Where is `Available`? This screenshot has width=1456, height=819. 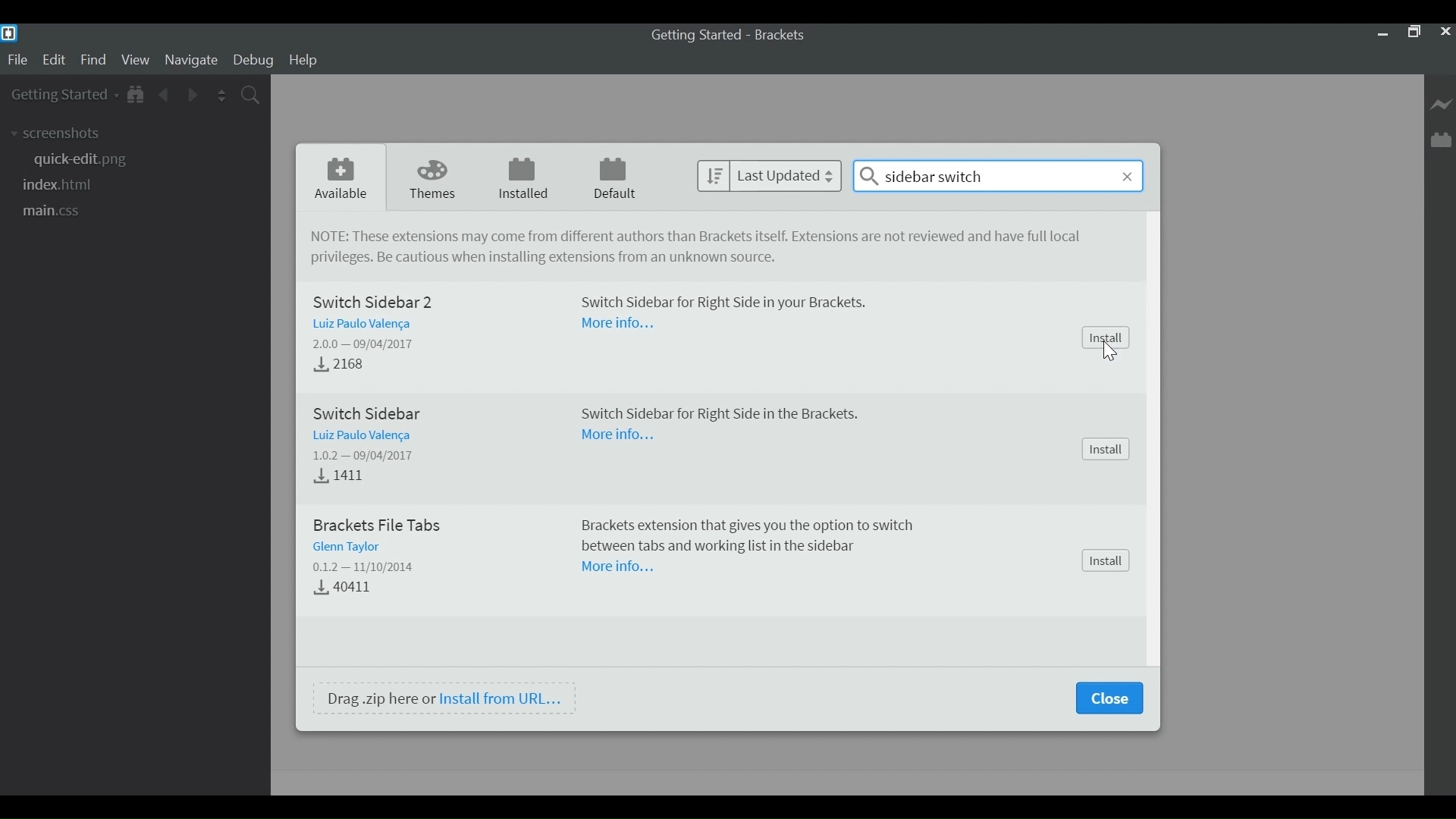
Available is located at coordinates (343, 179).